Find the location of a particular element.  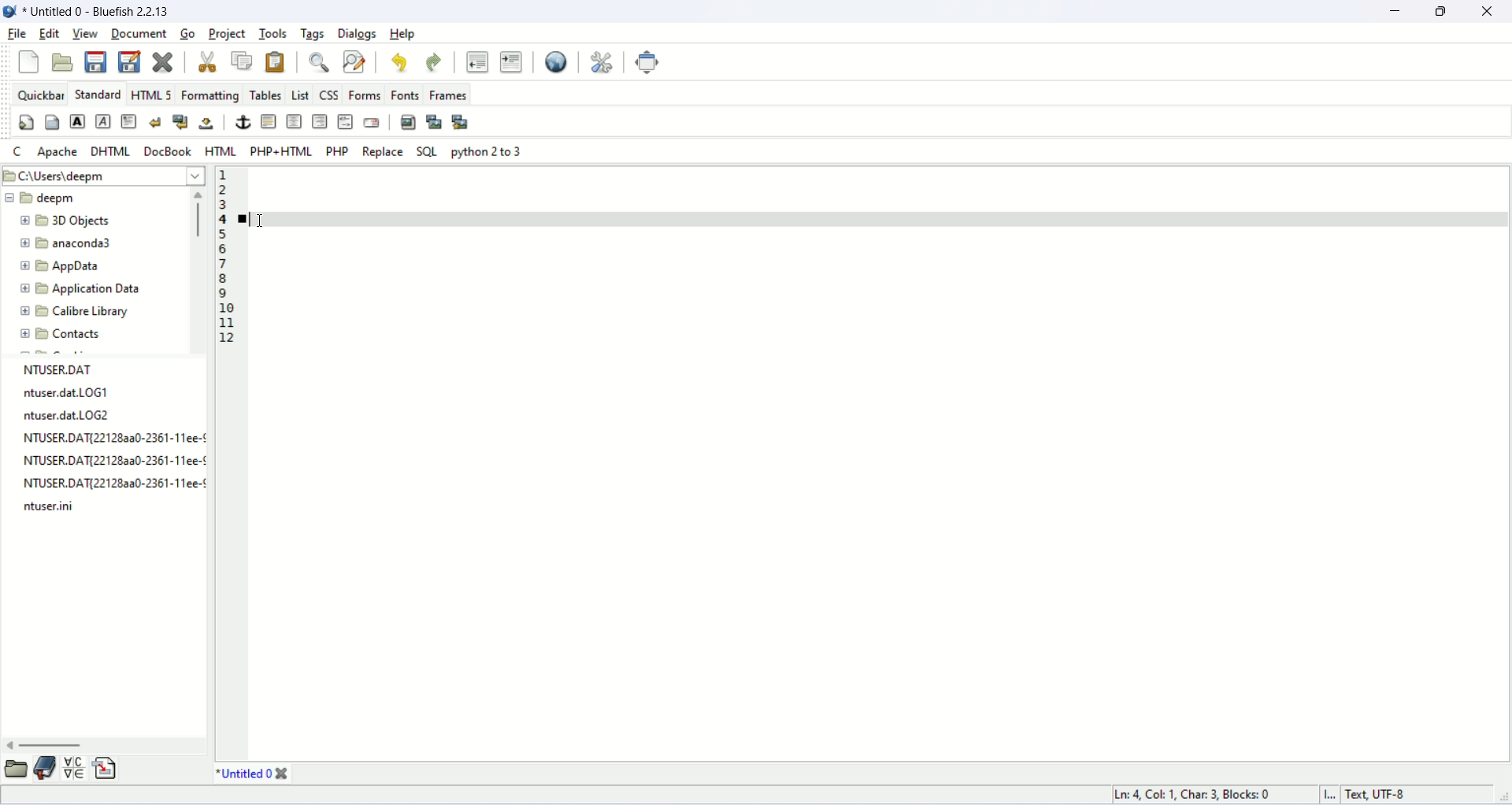

HTML 5 is located at coordinates (154, 94).